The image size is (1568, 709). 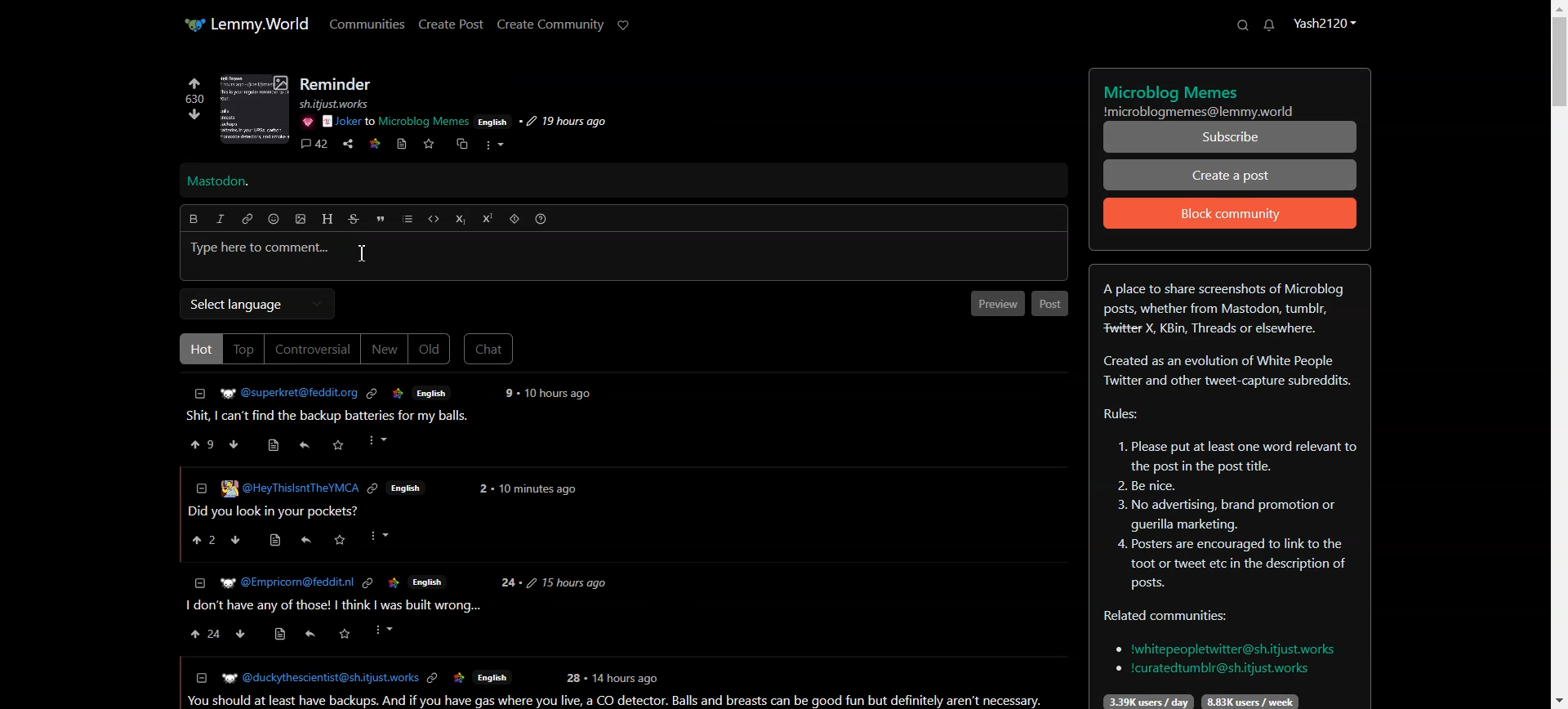 What do you see at coordinates (494, 145) in the screenshot?
I see `More` at bounding box center [494, 145].